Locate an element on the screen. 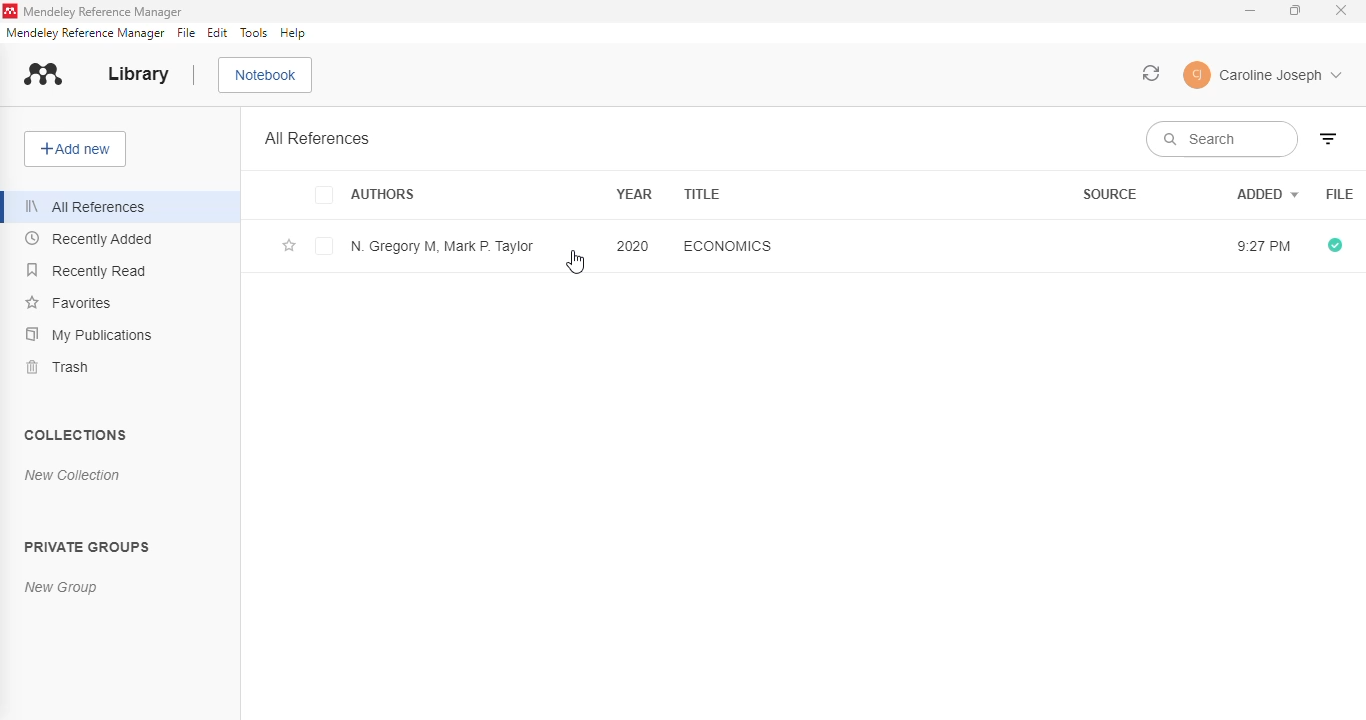 The height and width of the screenshot is (720, 1366). mendeley reference manager is located at coordinates (84, 33).